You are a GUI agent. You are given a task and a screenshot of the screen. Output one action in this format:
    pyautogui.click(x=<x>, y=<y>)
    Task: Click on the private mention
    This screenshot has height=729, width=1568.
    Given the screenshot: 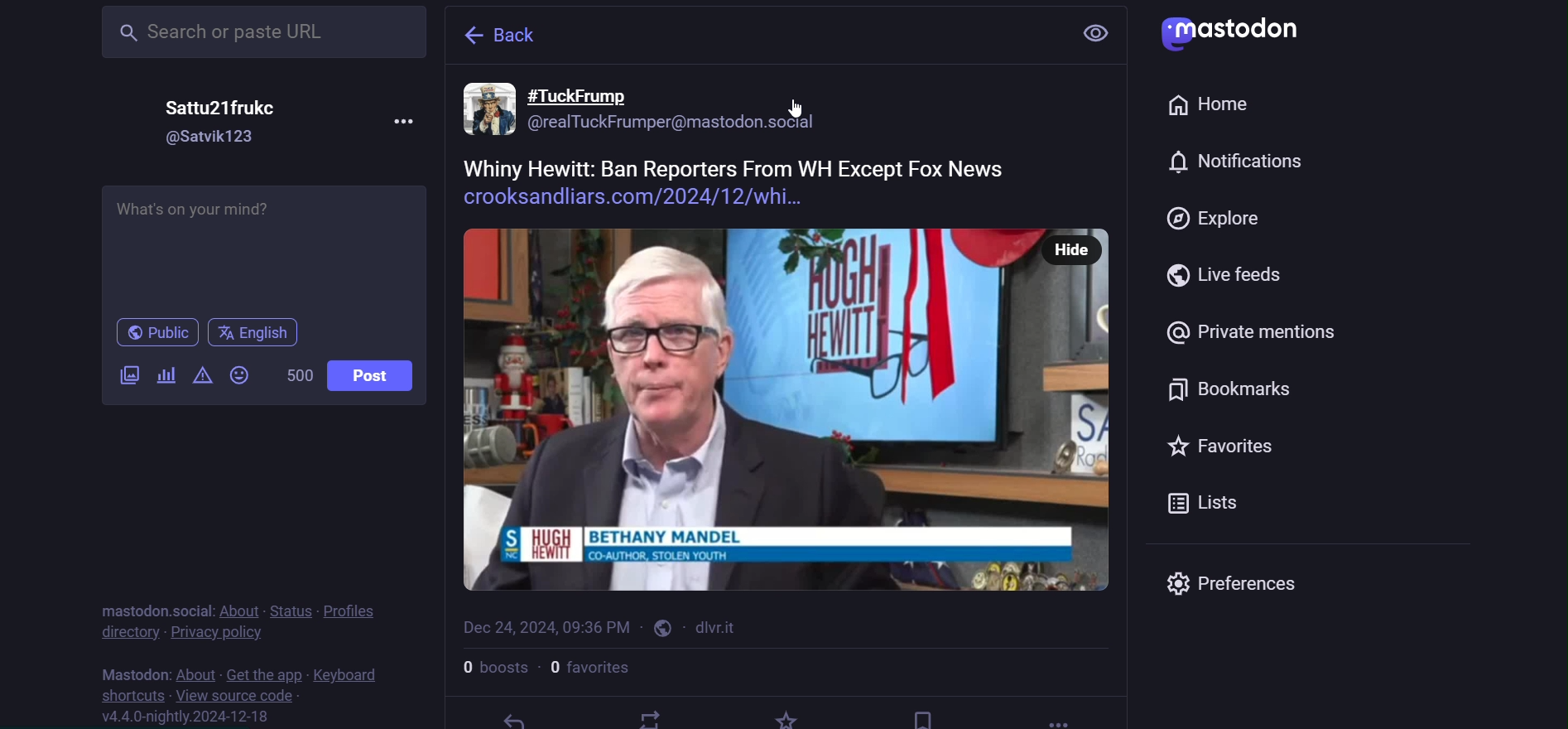 What is the action you would take?
    pyautogui.click(x=1261, y=335)
    